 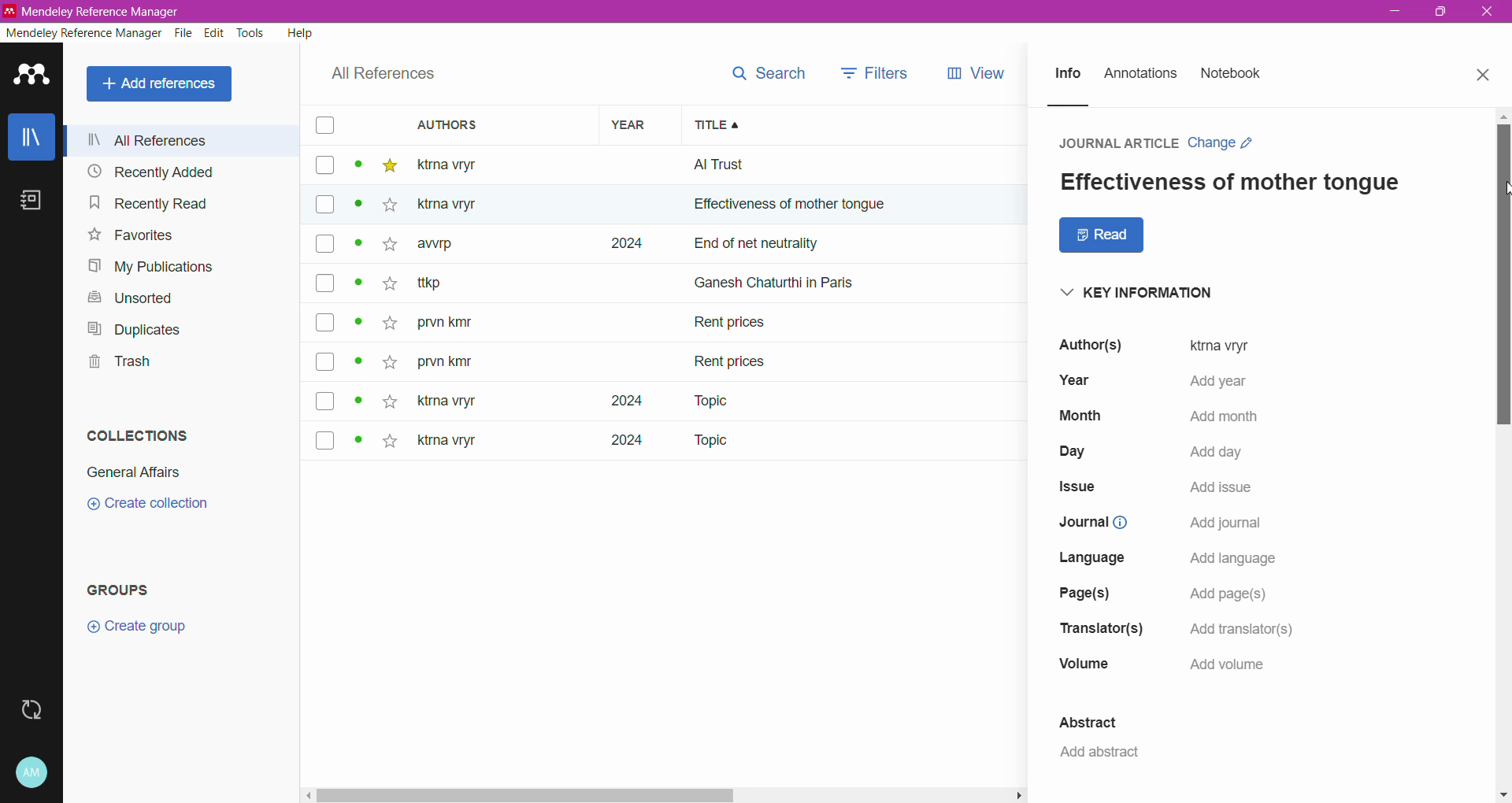 What do you see at coordinates (183, 140) in the screenshot?
I see `All References` at bounding box center [183, 140].